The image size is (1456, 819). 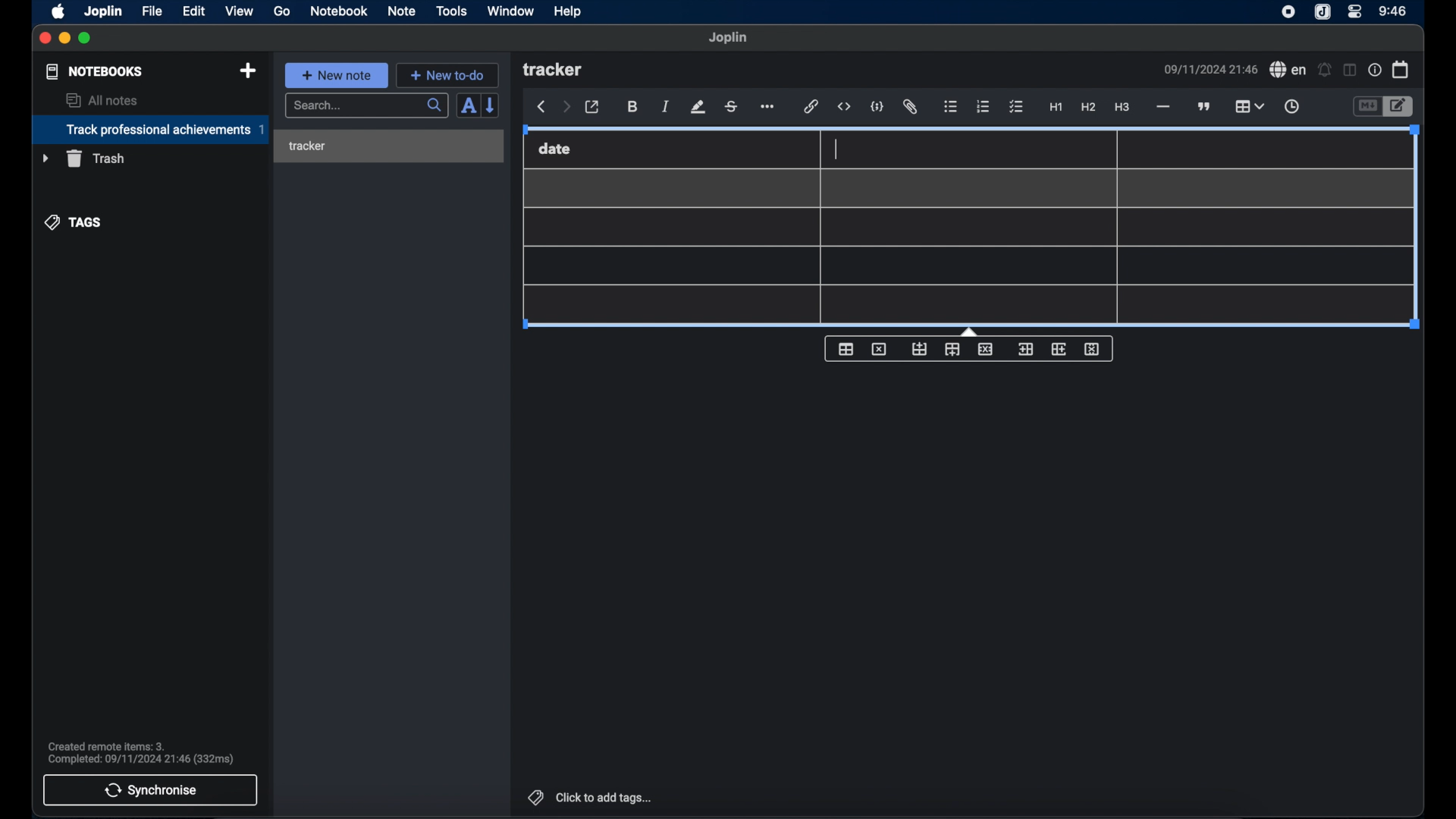 I want to click on toggle sort order field, so click(x=466, y=107).